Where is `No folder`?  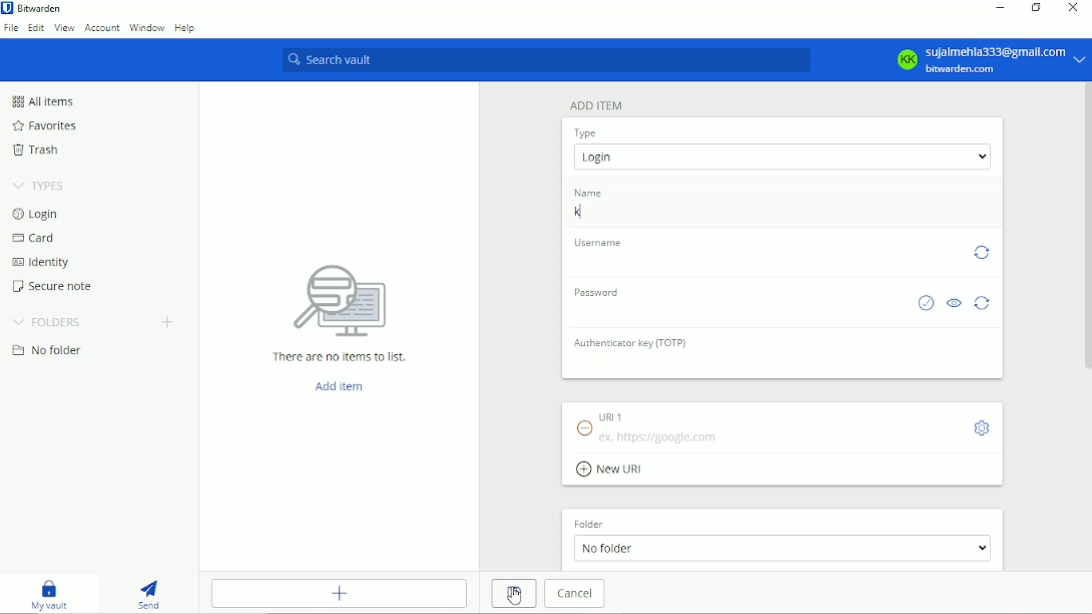
No folder is located at coordinates (49, 350).